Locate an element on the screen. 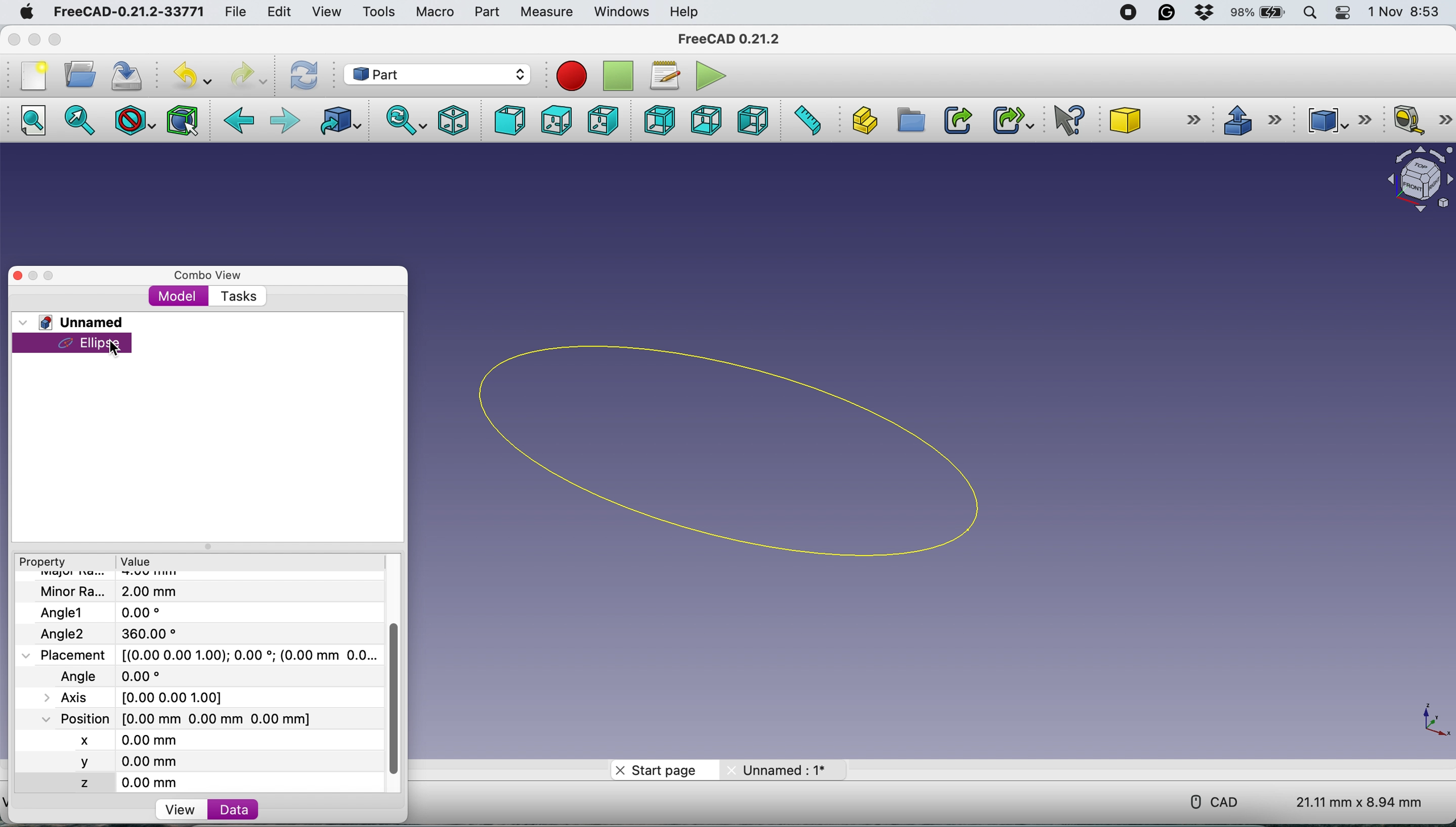 This screenshot has height=827, width=1456. grammarly is located at coordinates (1168, 12).